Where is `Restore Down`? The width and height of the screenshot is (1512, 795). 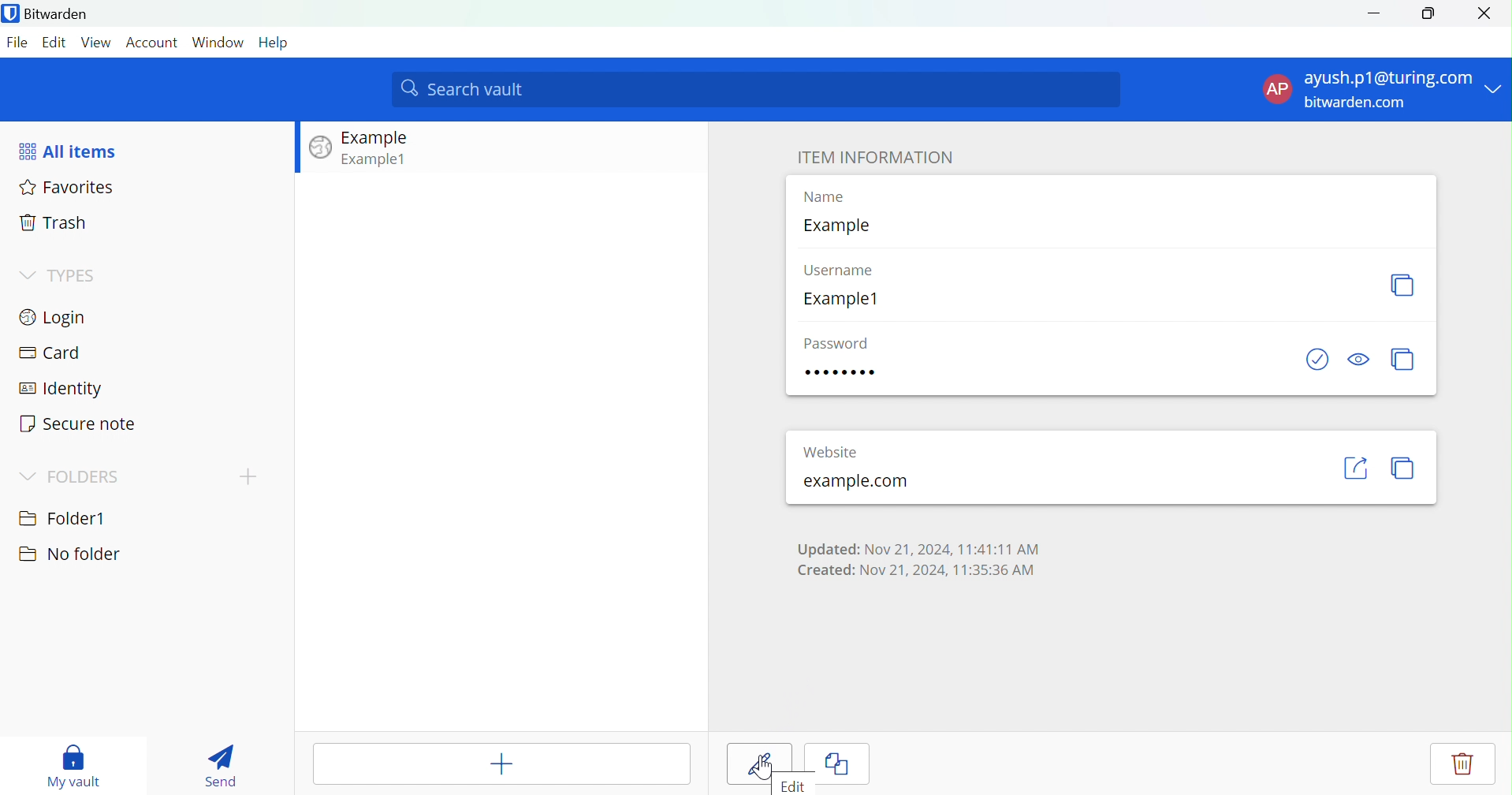
Restore Down is located at coordinates (1428, 13).